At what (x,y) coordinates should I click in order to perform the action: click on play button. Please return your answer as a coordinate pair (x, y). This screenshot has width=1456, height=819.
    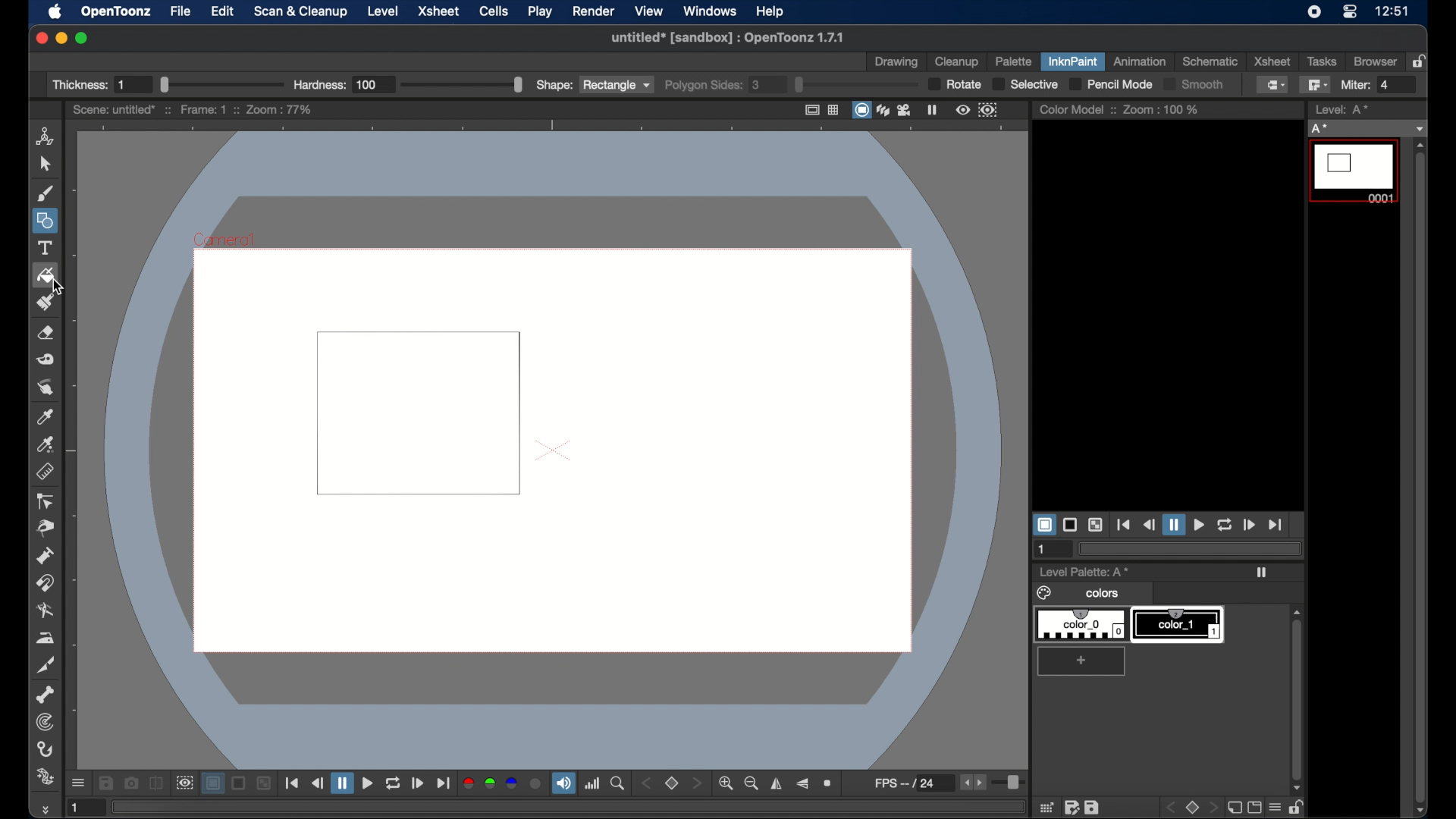
    Looking at the image, I should click on (368, 784).